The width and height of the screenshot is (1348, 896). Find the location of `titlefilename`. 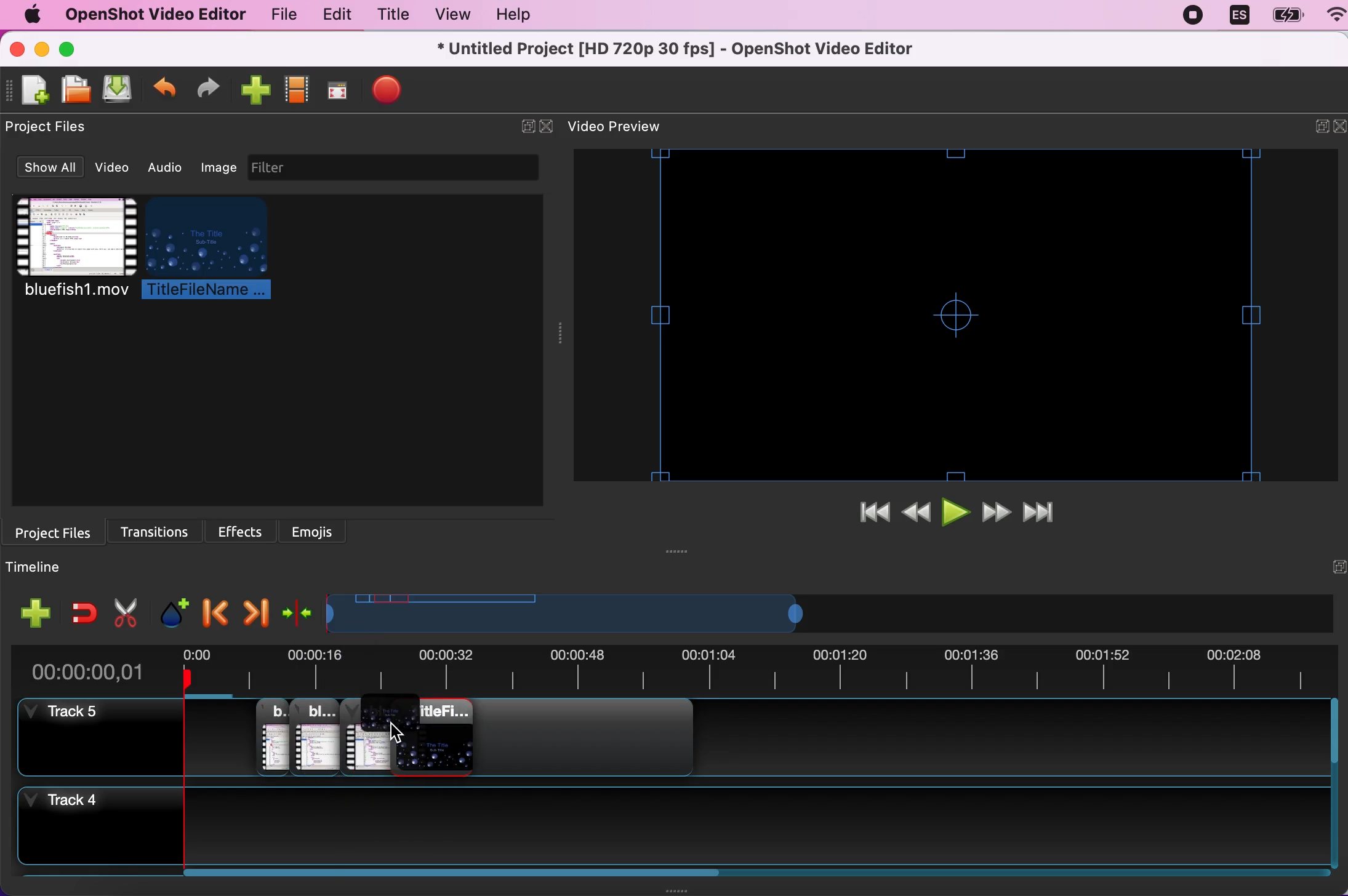

titlefilename is located at coordinates (215, 250).